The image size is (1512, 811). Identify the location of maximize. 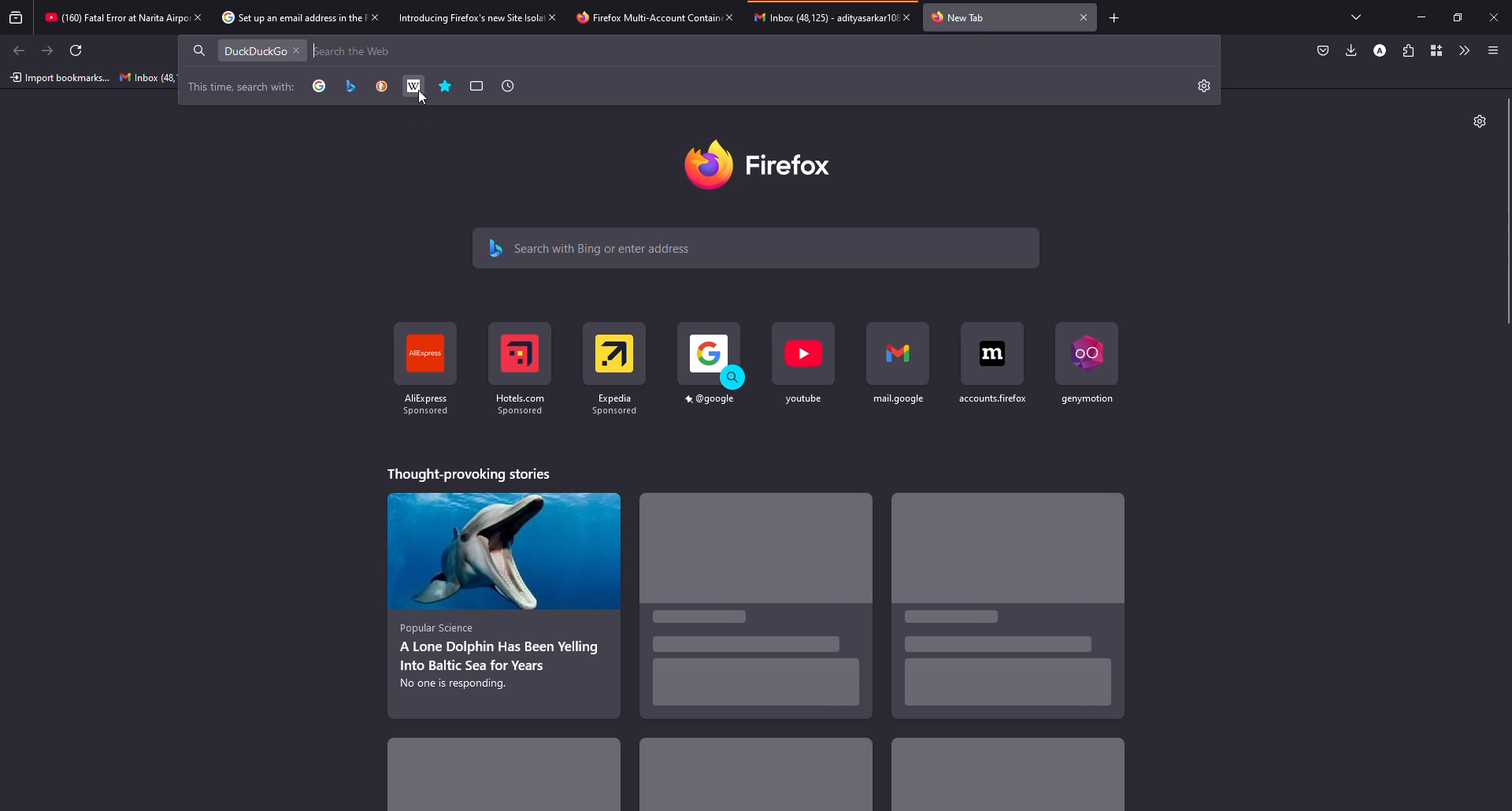
(1455, 17).